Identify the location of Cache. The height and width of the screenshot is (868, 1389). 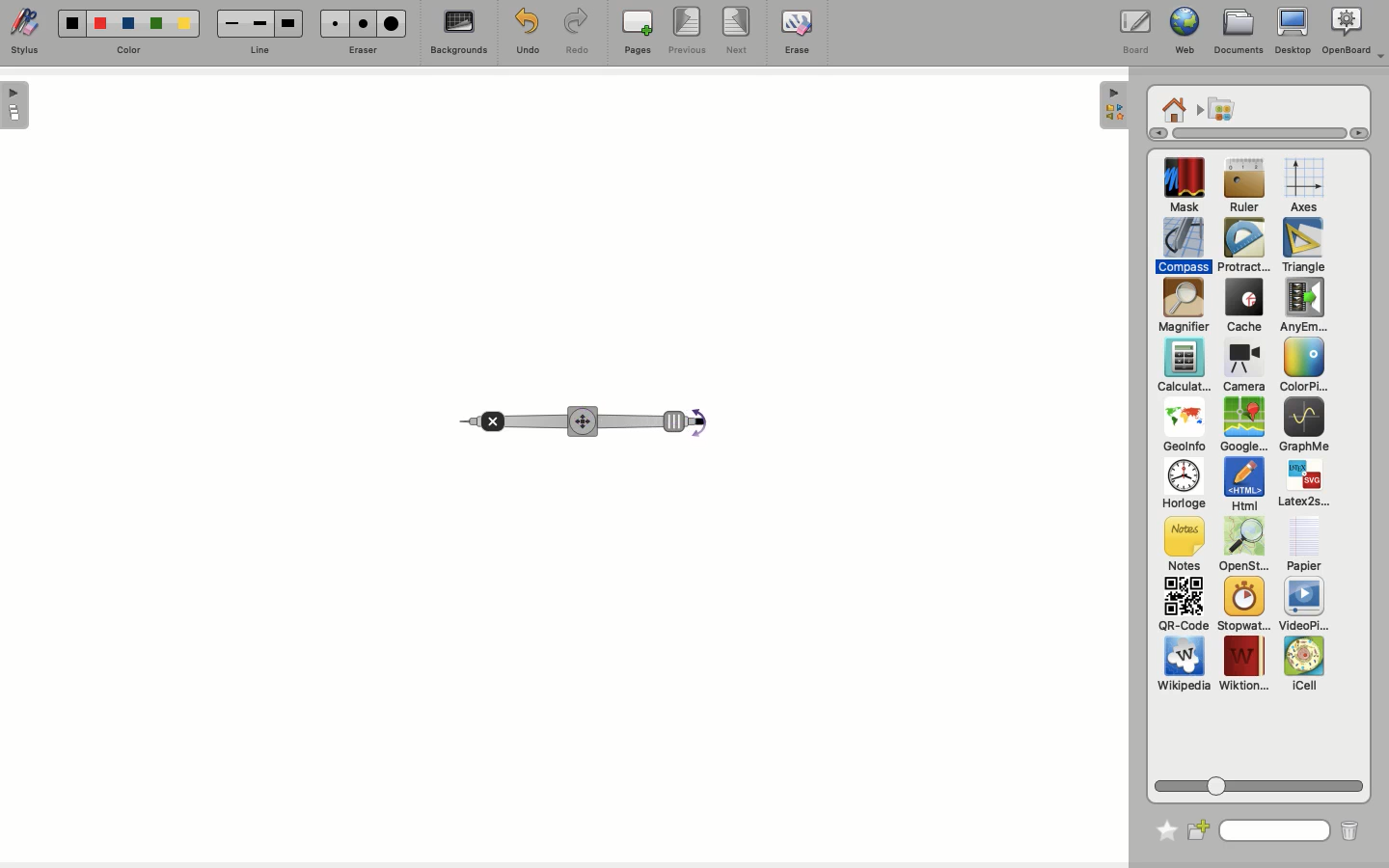
(1241, 308).